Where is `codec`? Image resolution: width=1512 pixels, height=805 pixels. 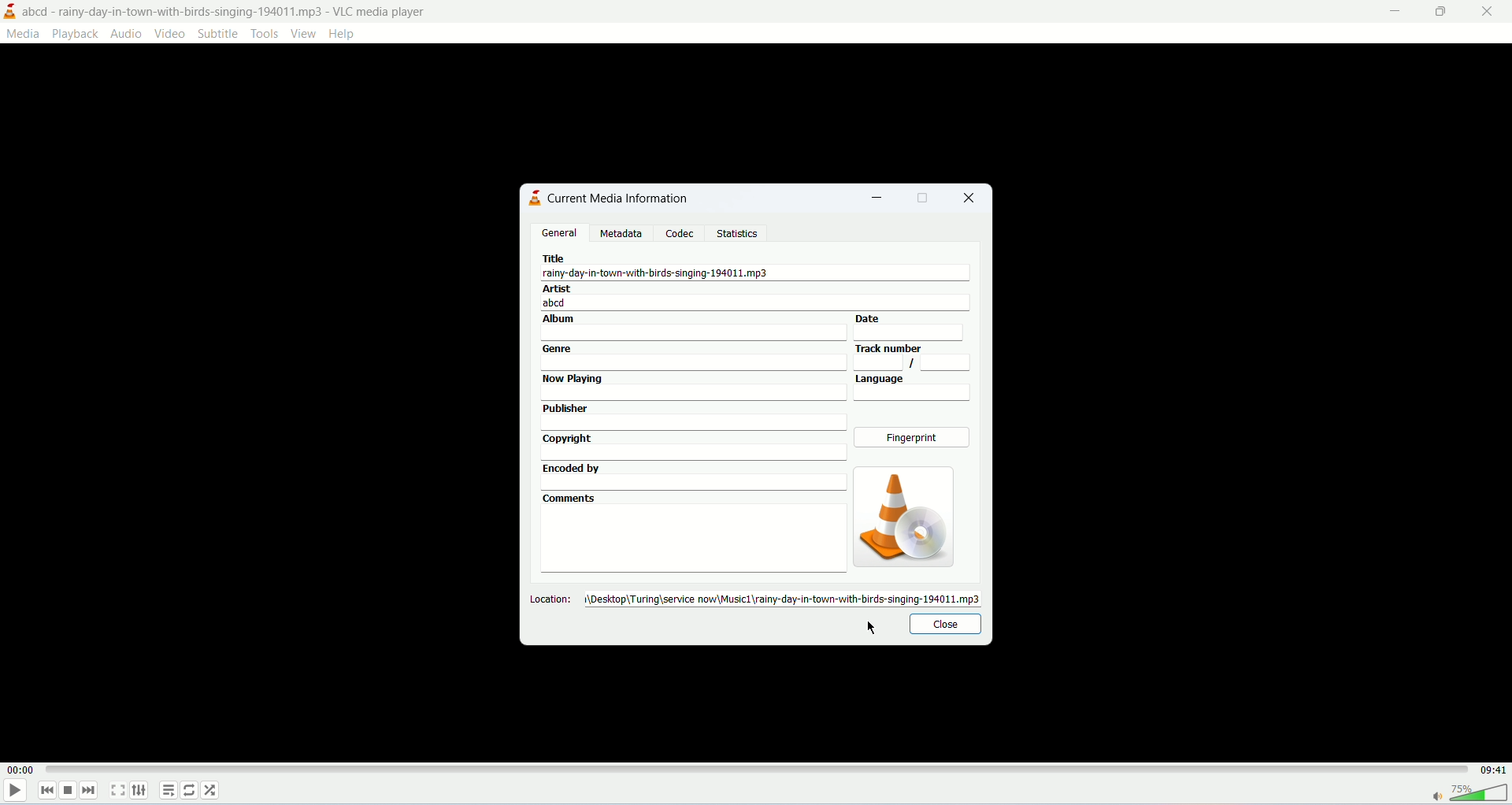 codec is located at coordinates (684, 233).